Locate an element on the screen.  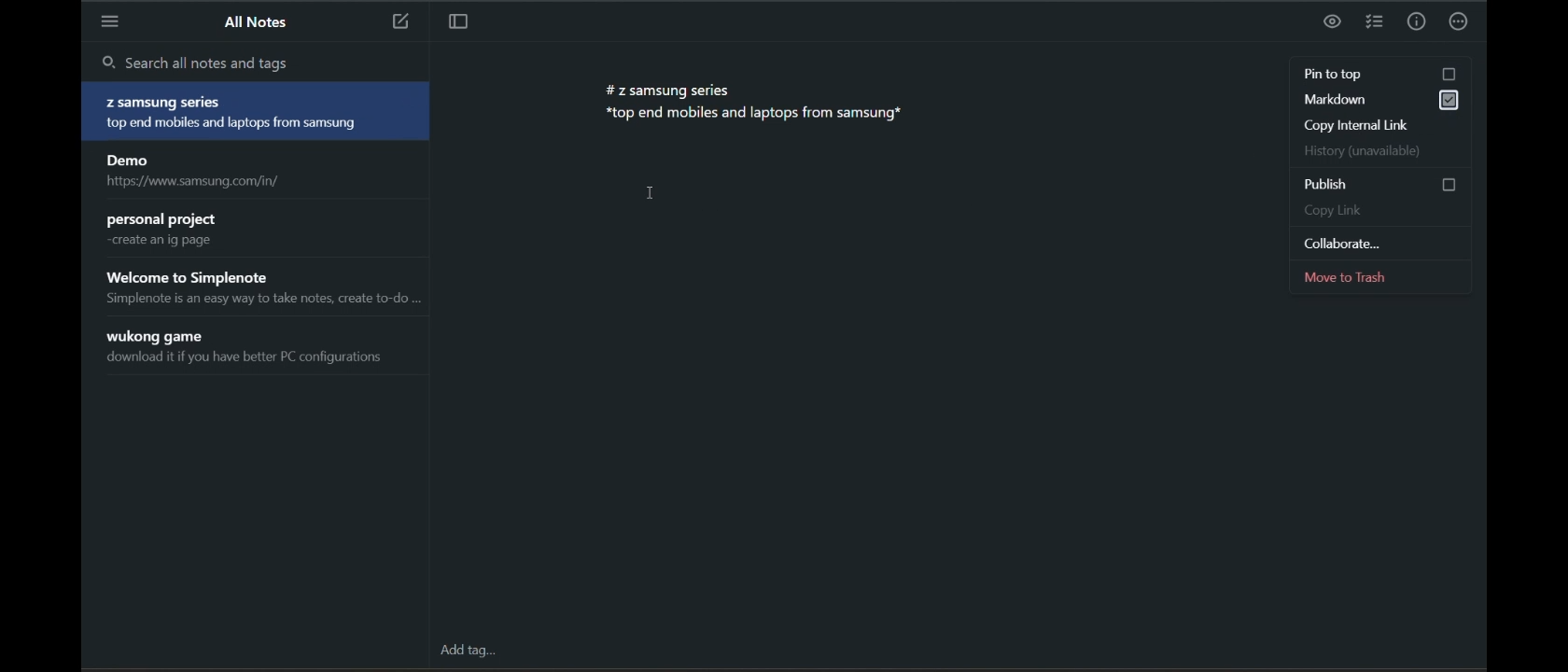
pin to top is located at coordinates (1382, 72).